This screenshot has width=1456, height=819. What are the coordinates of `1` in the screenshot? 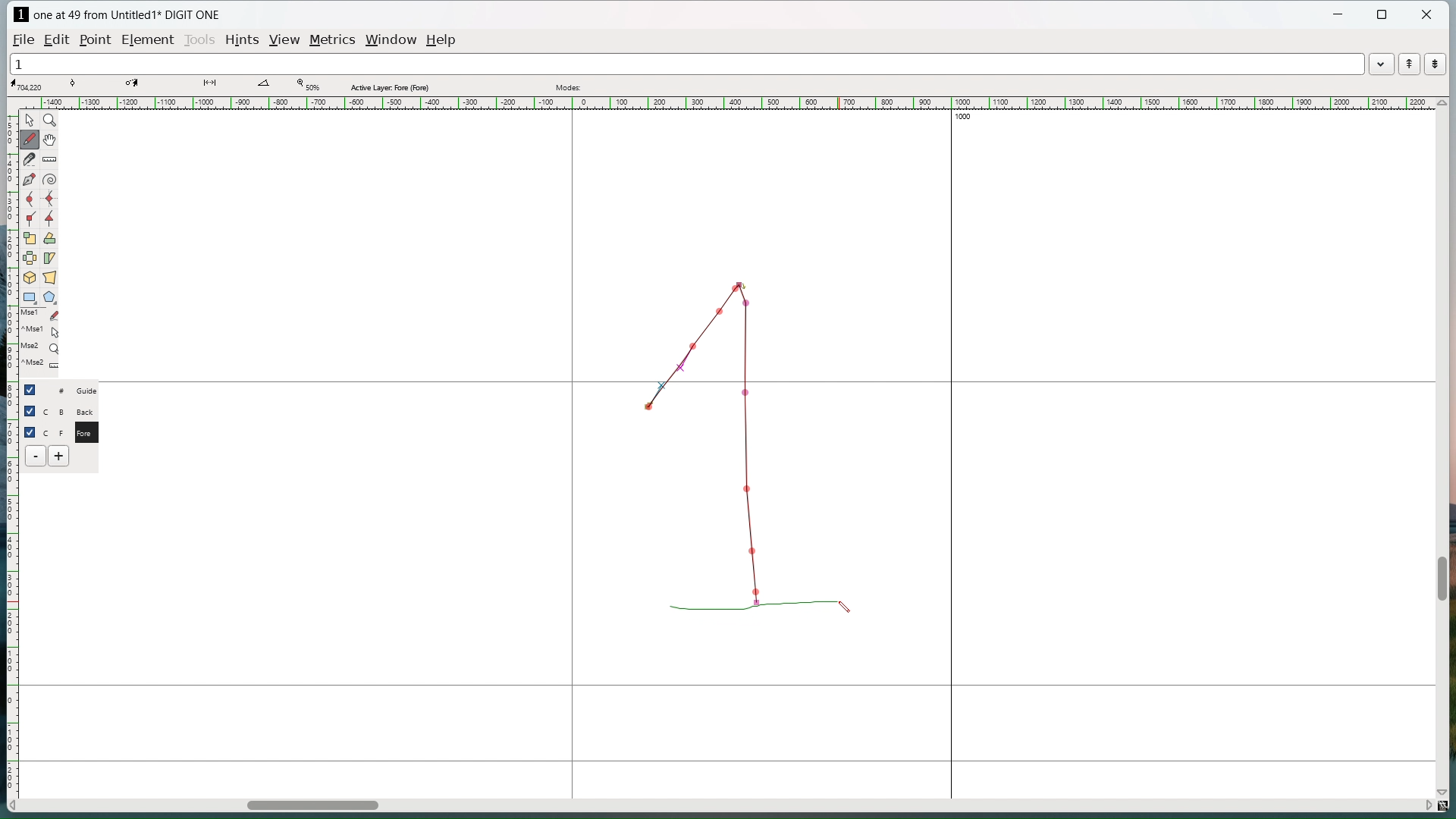 It's located at (686, 63).